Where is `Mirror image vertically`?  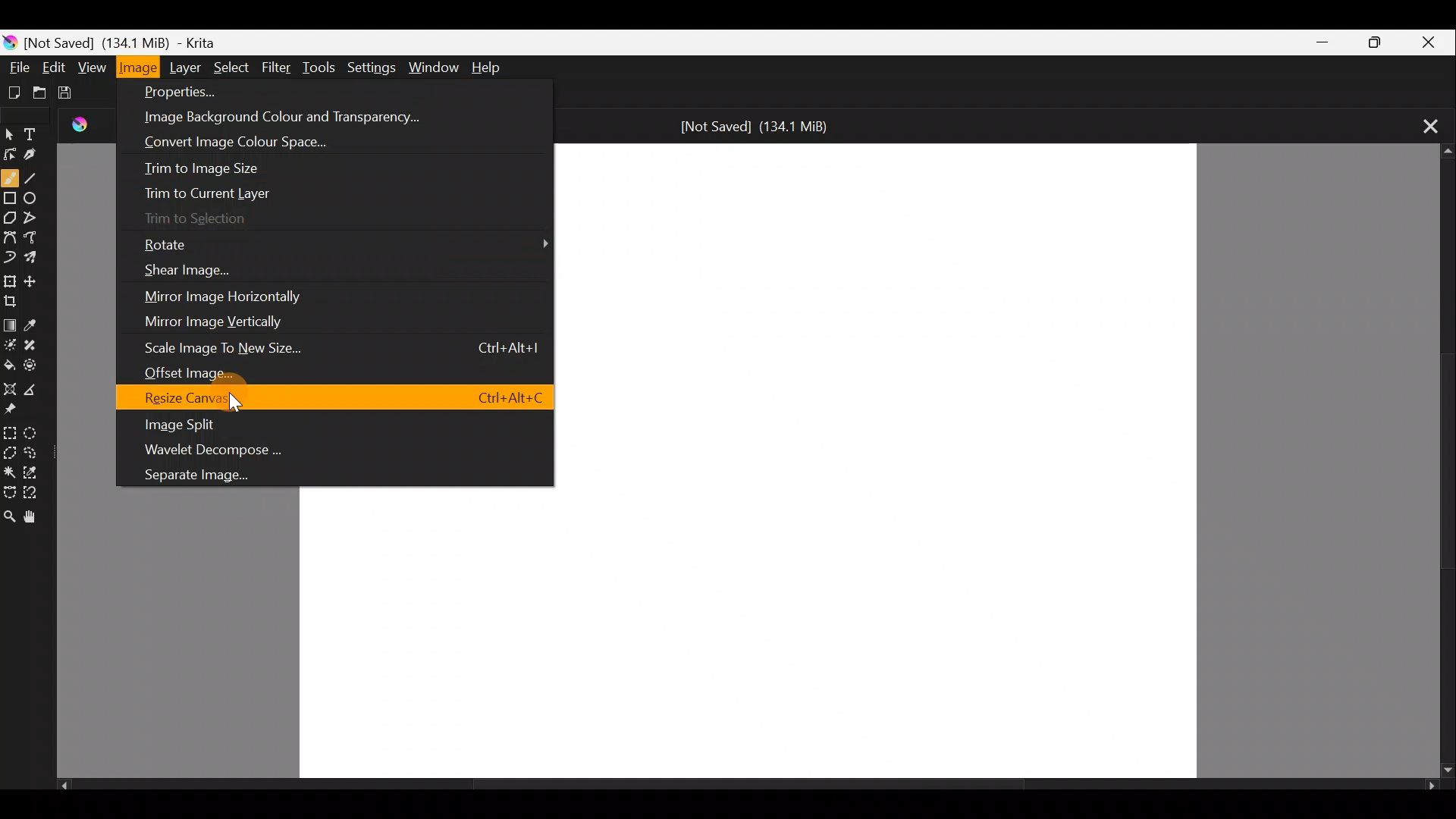 Mirror image vertically is located at coordinates (221, 323).